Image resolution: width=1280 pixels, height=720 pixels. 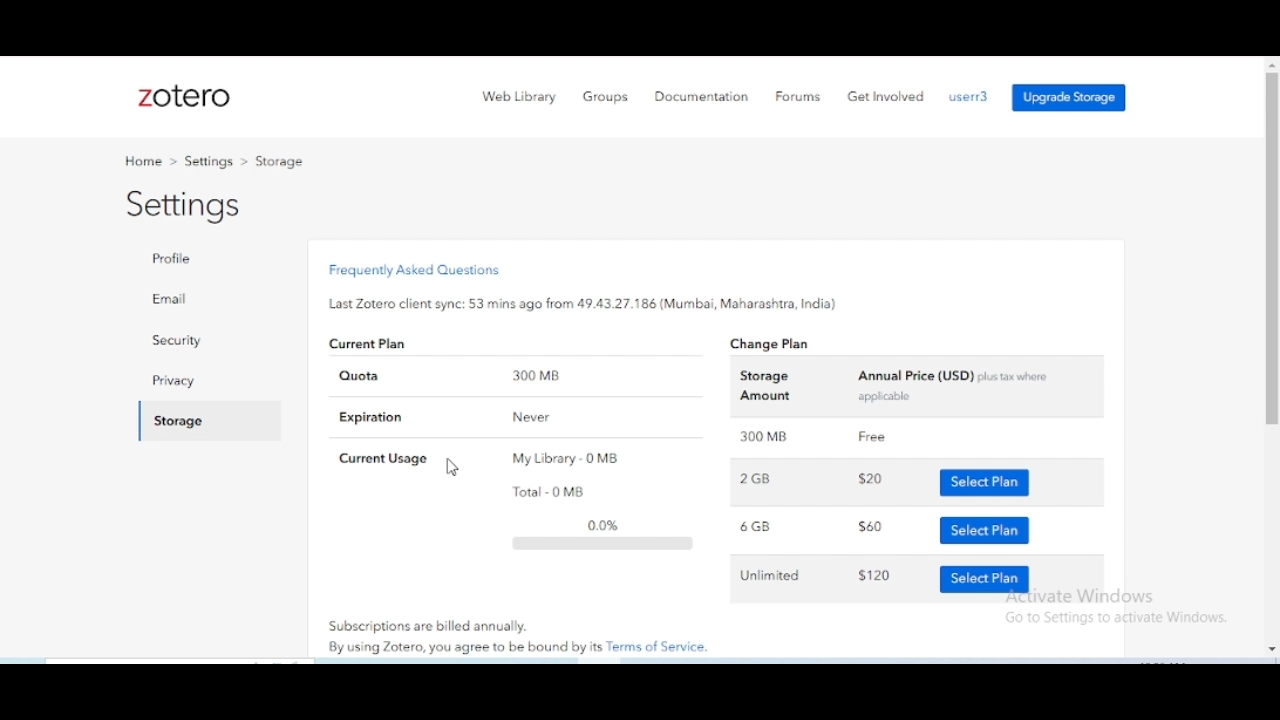 What do you see at coordinates (173, 381) in the screenshot?
I see `privacy` at bounding box center [173, 381].